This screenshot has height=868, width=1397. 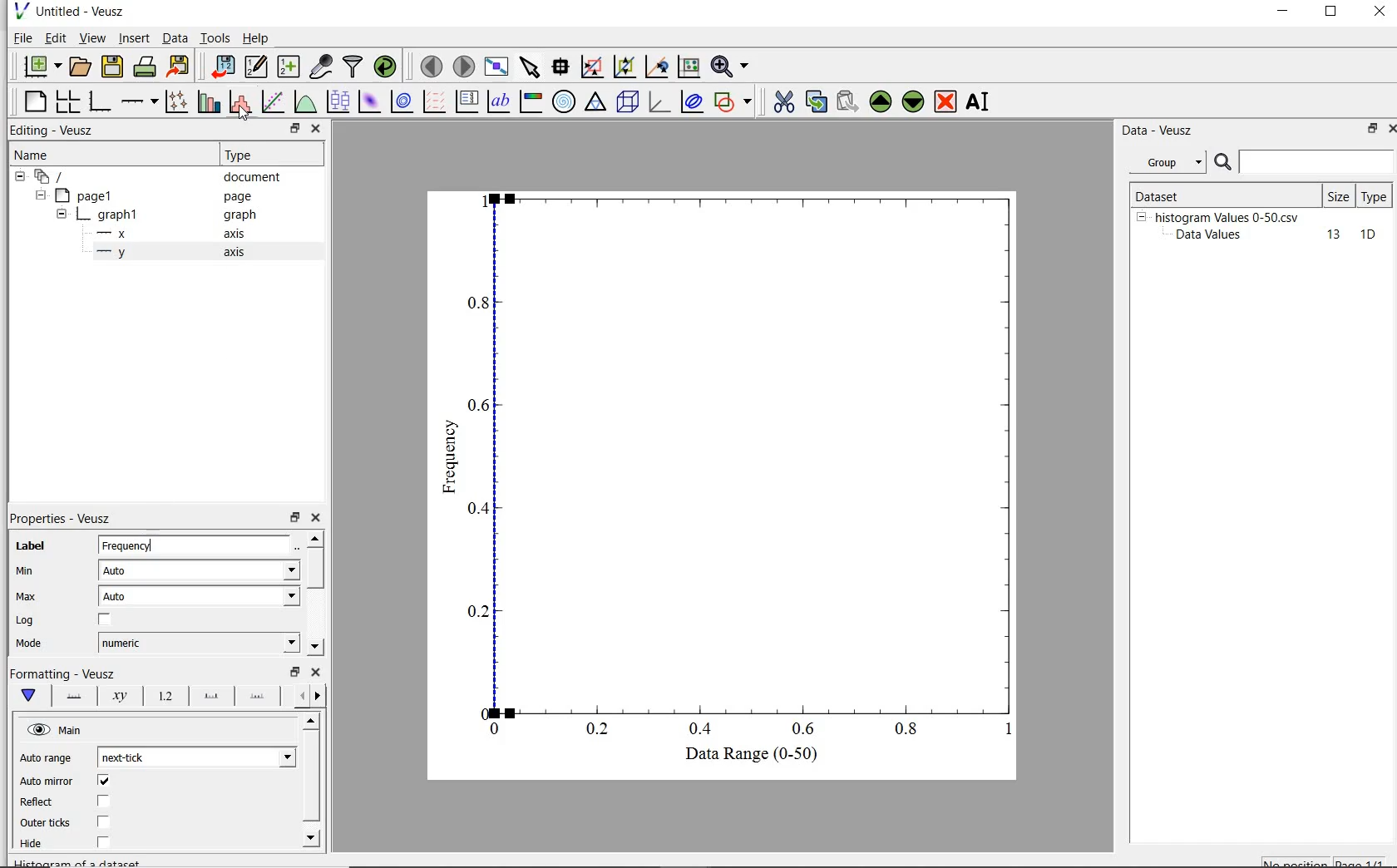 I want to click on checkbox, so click(x=103, y=843).